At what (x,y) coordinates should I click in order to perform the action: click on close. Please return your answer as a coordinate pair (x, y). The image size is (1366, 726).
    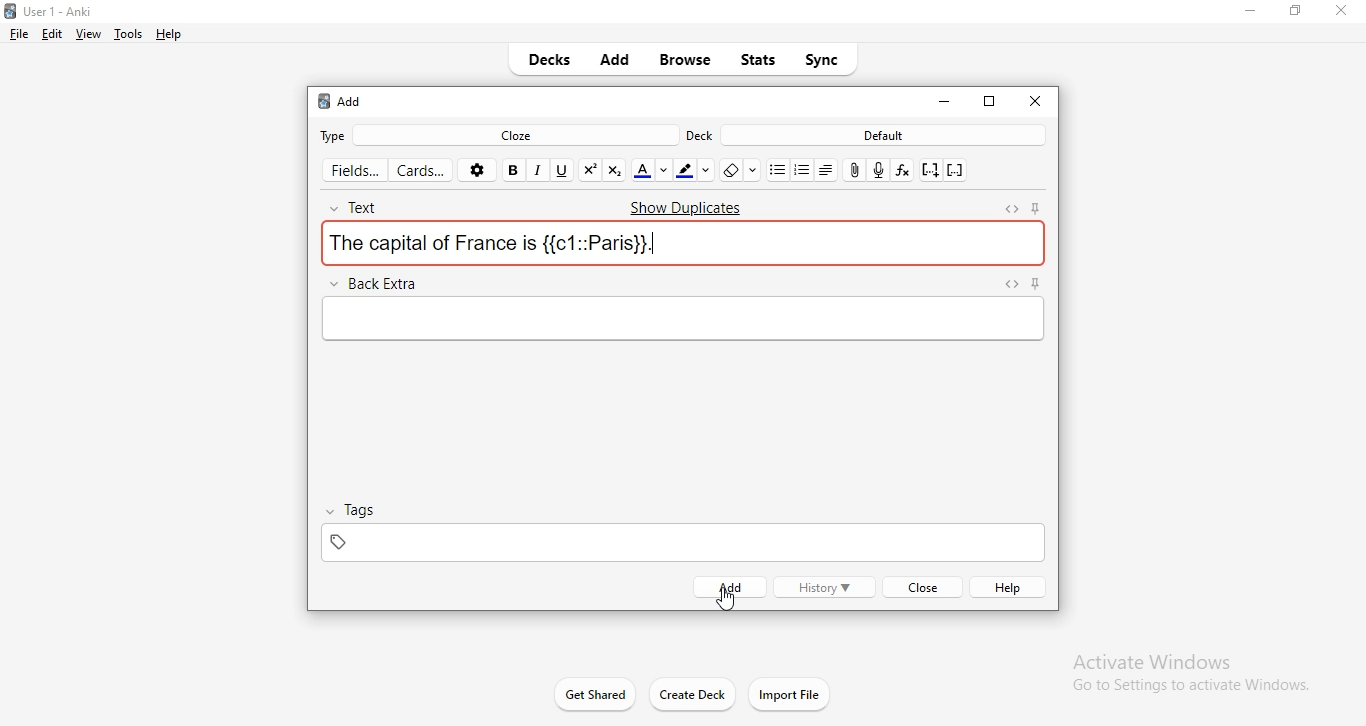
    Looking at the image, I should click on (943, 101).